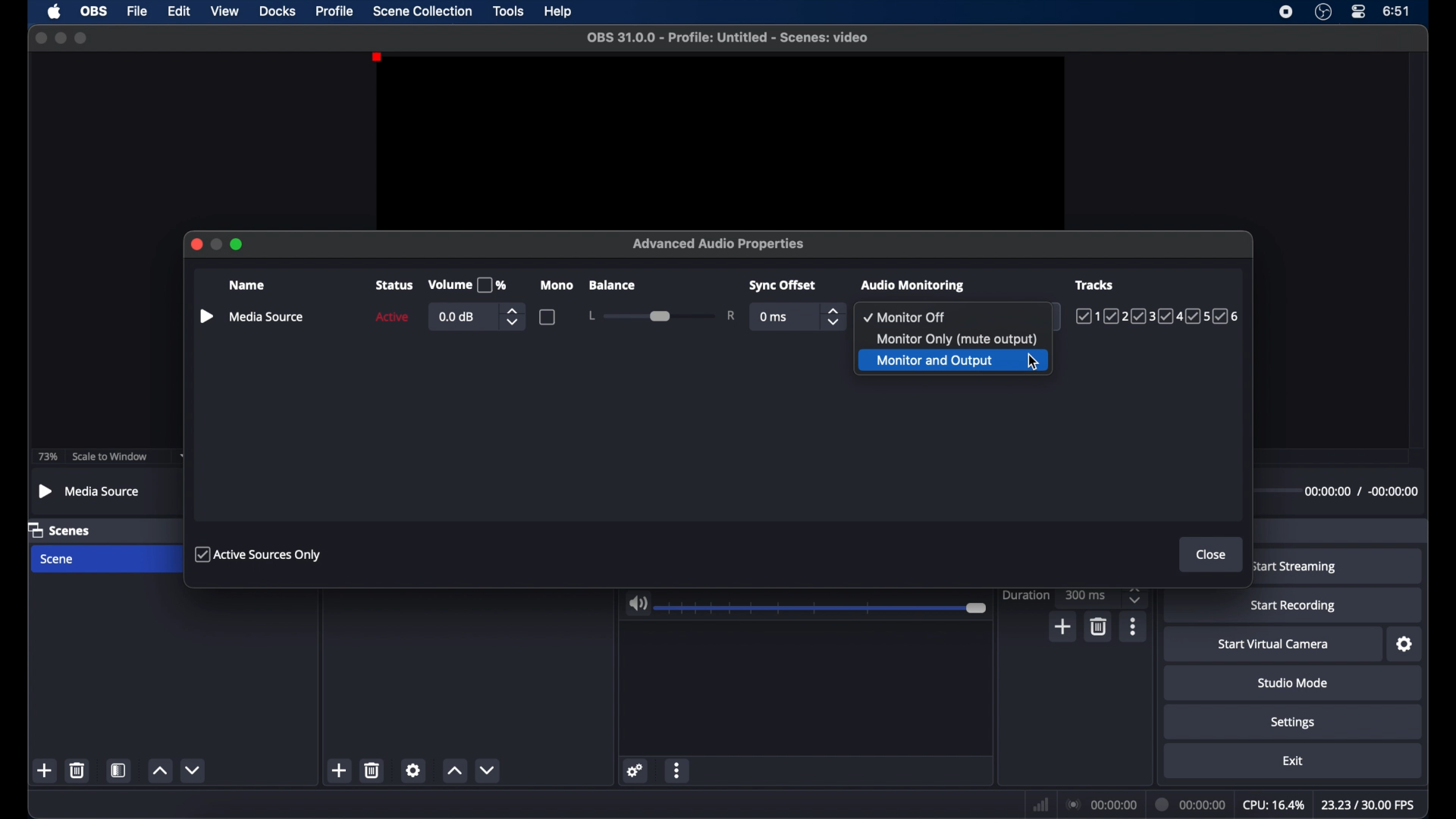 This screenshot has width=1456, height=819. I want to click on more options, so click(1134, 626).